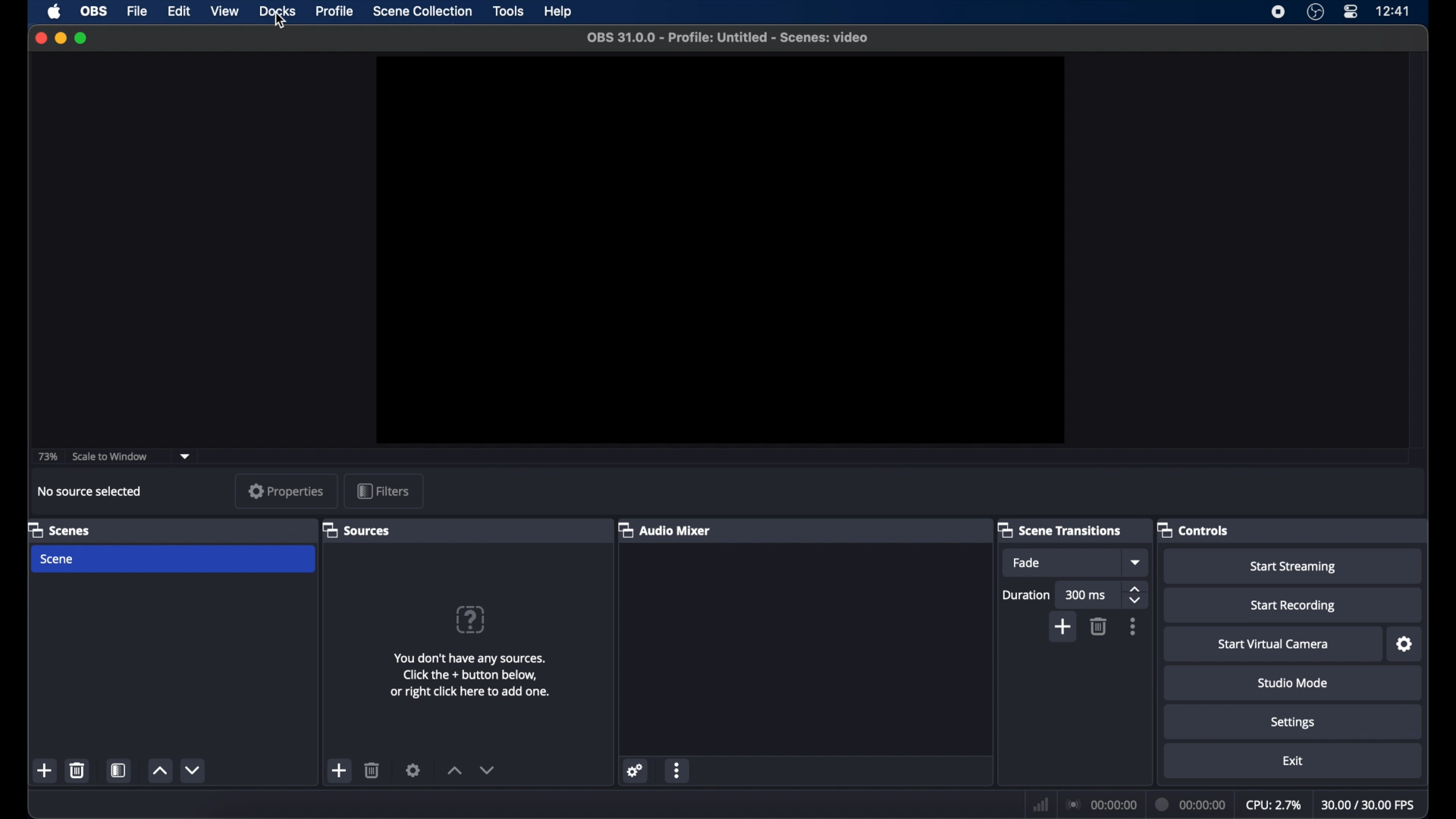 The image size is (1456, 819). I want to click on scale to window, so click(111, 456).